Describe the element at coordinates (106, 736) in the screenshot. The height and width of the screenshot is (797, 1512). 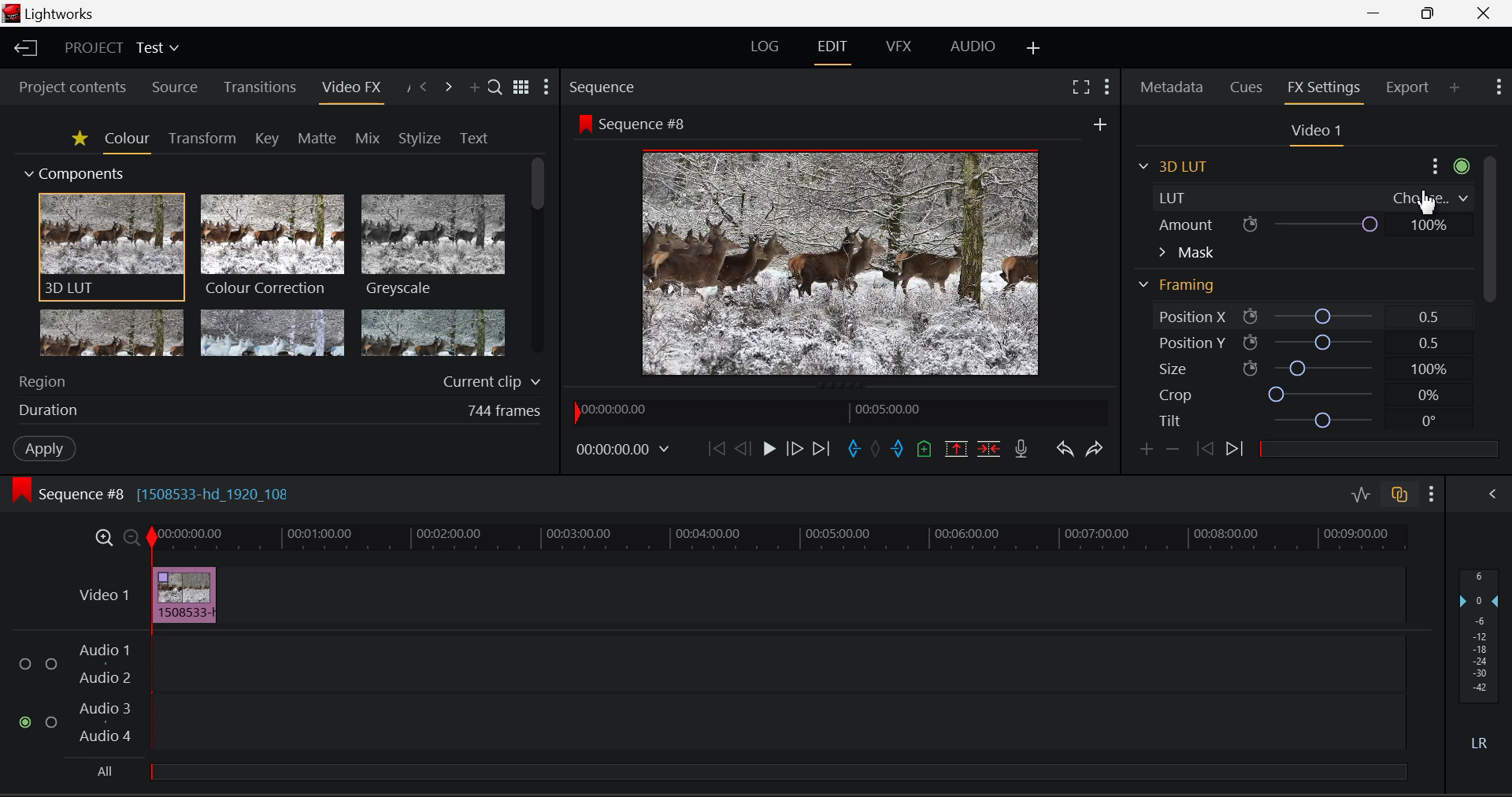
I see `Audio4` at that location.